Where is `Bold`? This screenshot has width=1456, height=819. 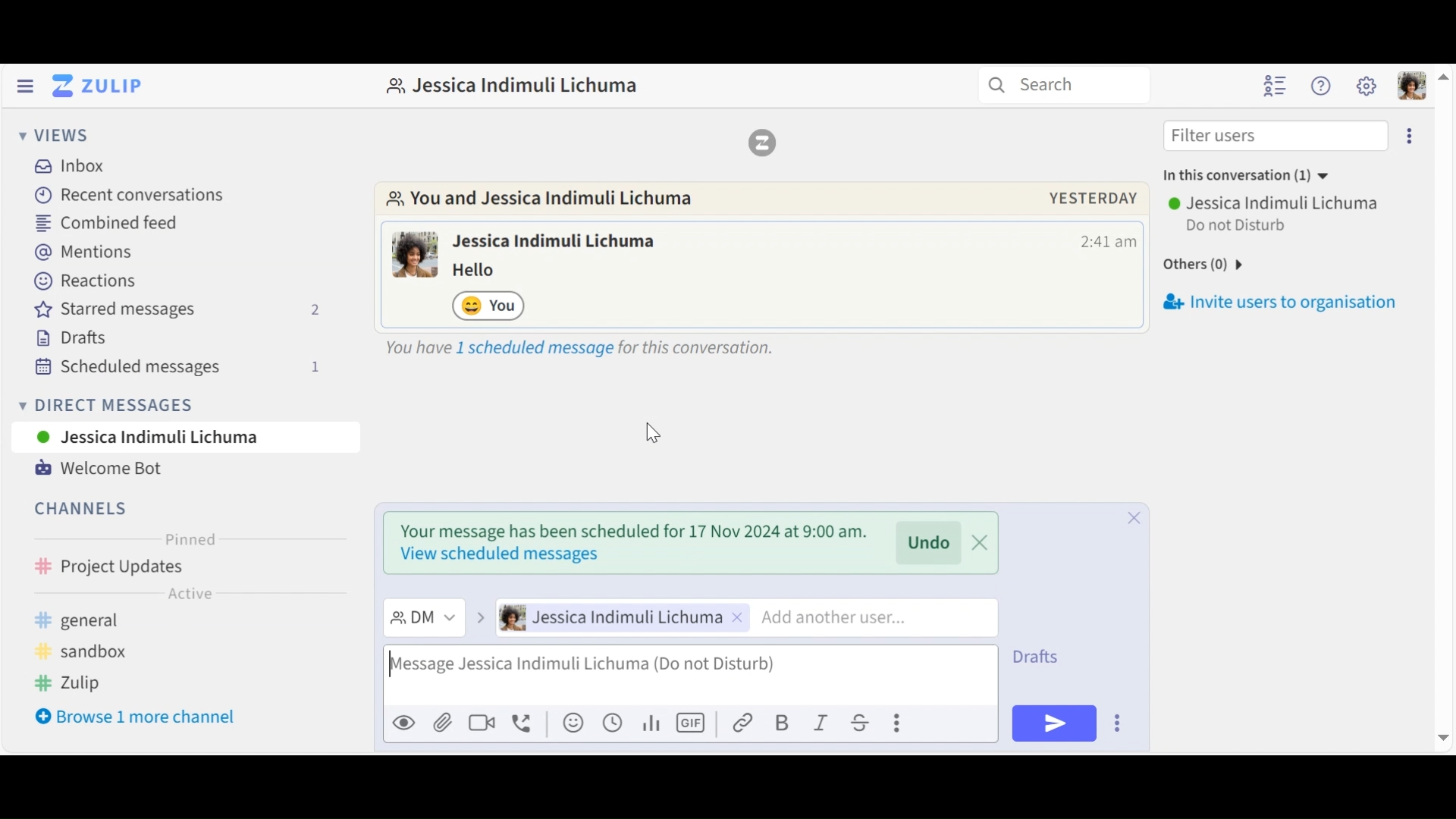
Bold is located at coordinates (783, 723).